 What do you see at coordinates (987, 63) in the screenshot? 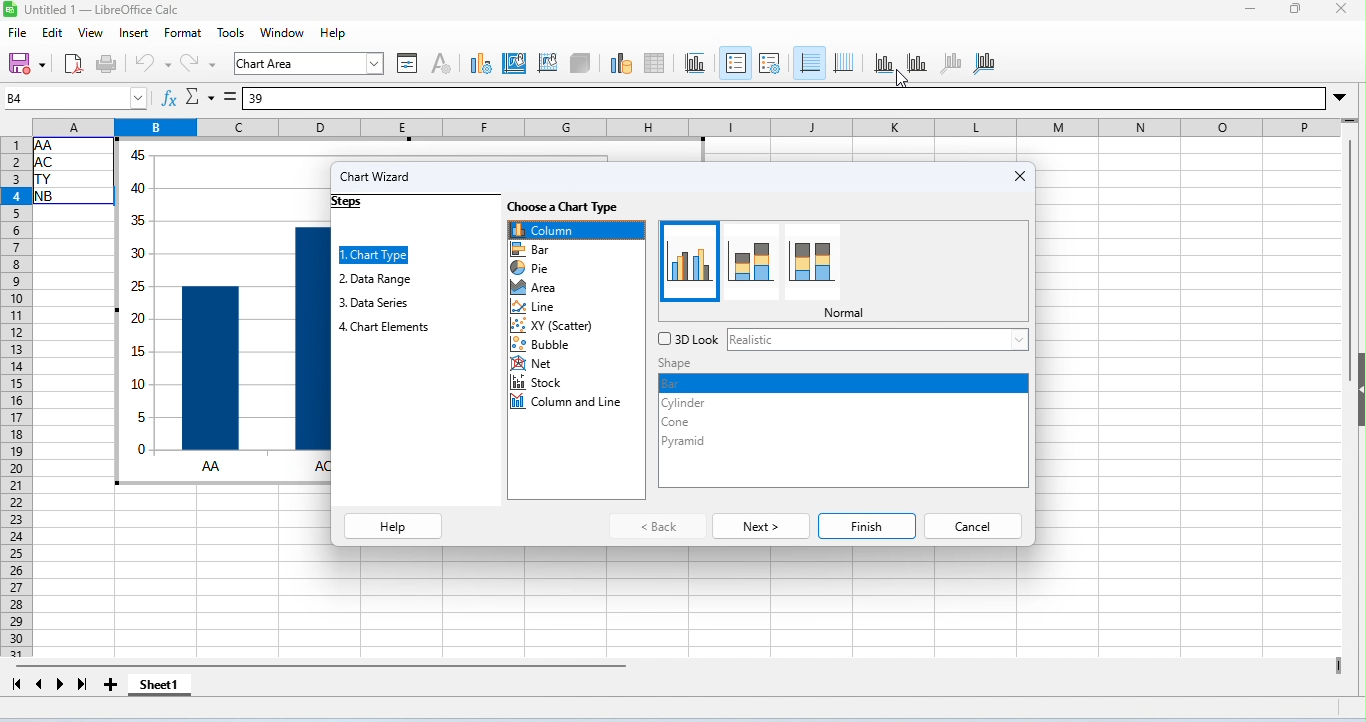
I see `all axis` at bounding box center [987, 63].